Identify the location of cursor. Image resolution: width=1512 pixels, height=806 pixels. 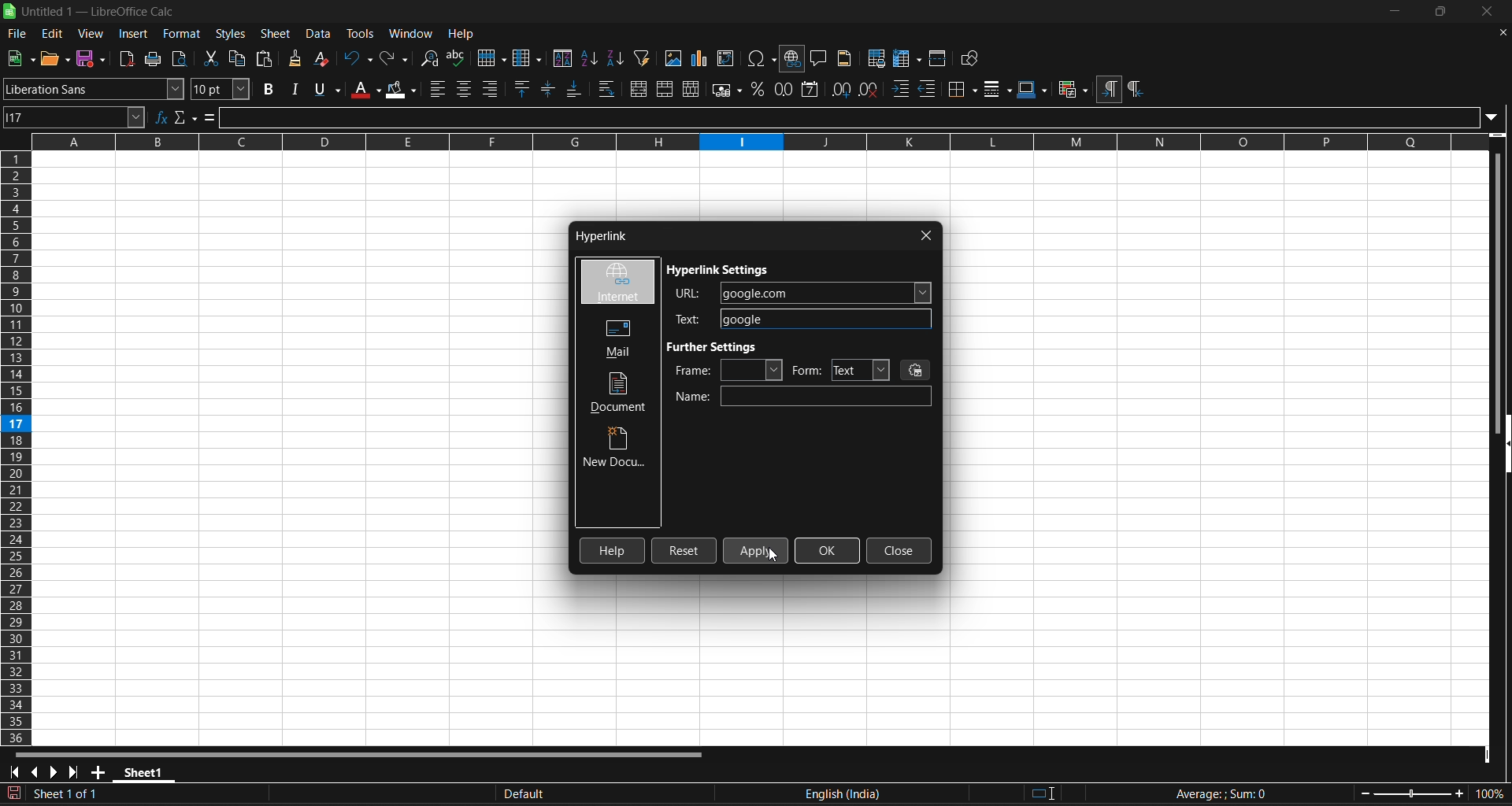
(773, 559).